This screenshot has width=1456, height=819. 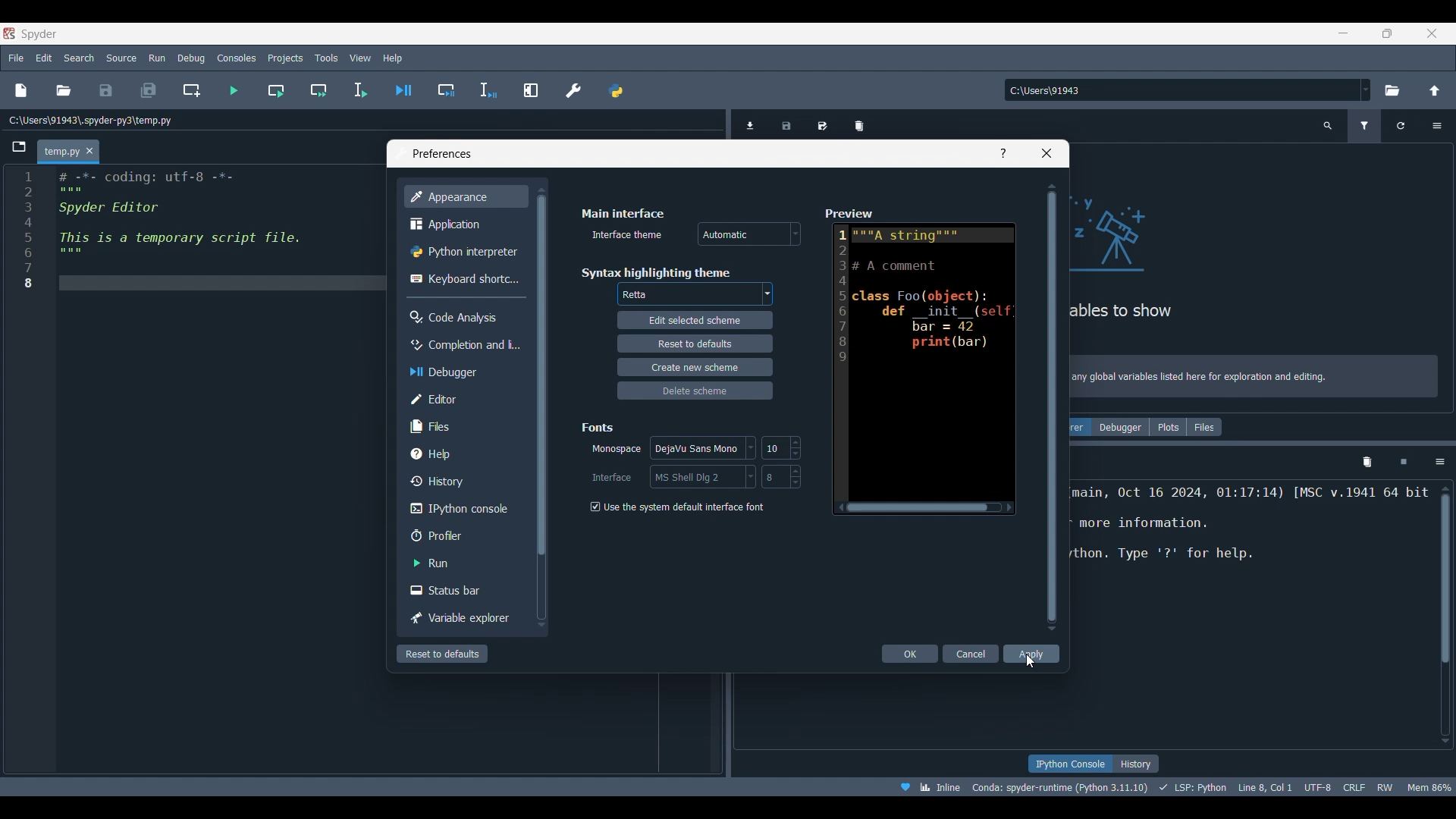 What do you see at coordinates (465, 317) in the screenshot?
I see `Code analysis` at bounding box center [465, 317].